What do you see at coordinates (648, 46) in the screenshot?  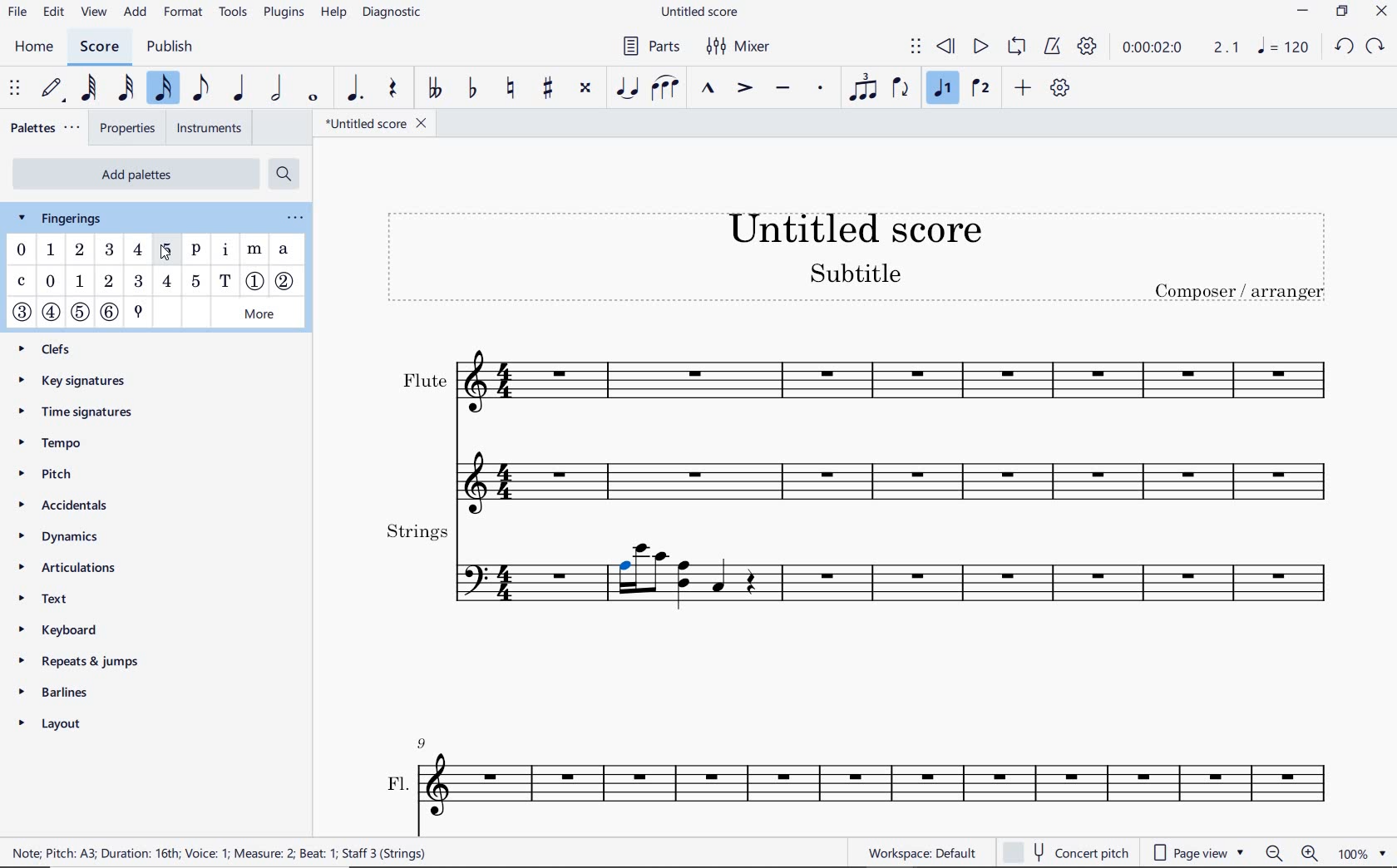 I see `parts` at bounding box center [648, 46].